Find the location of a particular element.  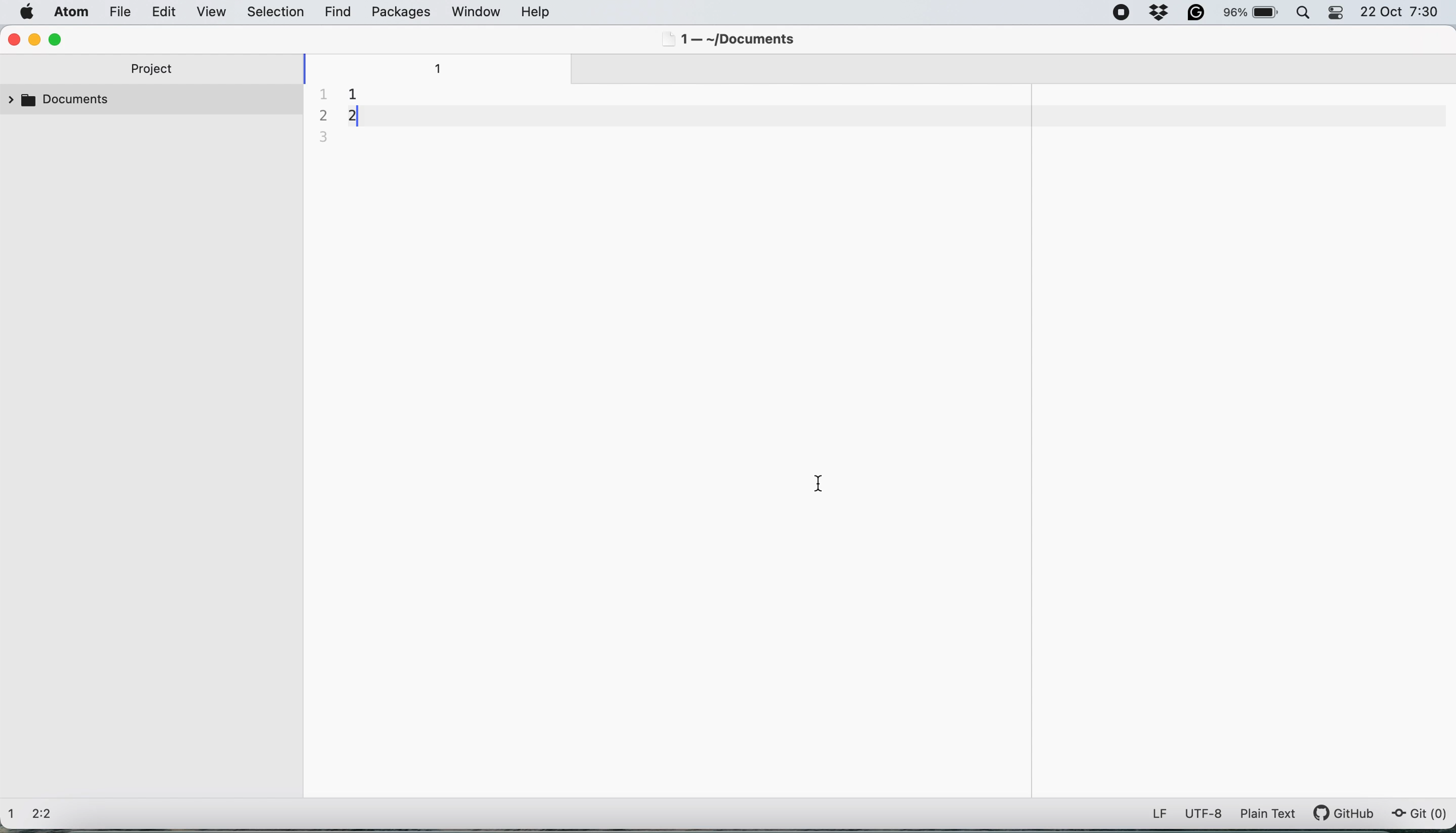

utf-8 is located at coordinates (1203, 814).